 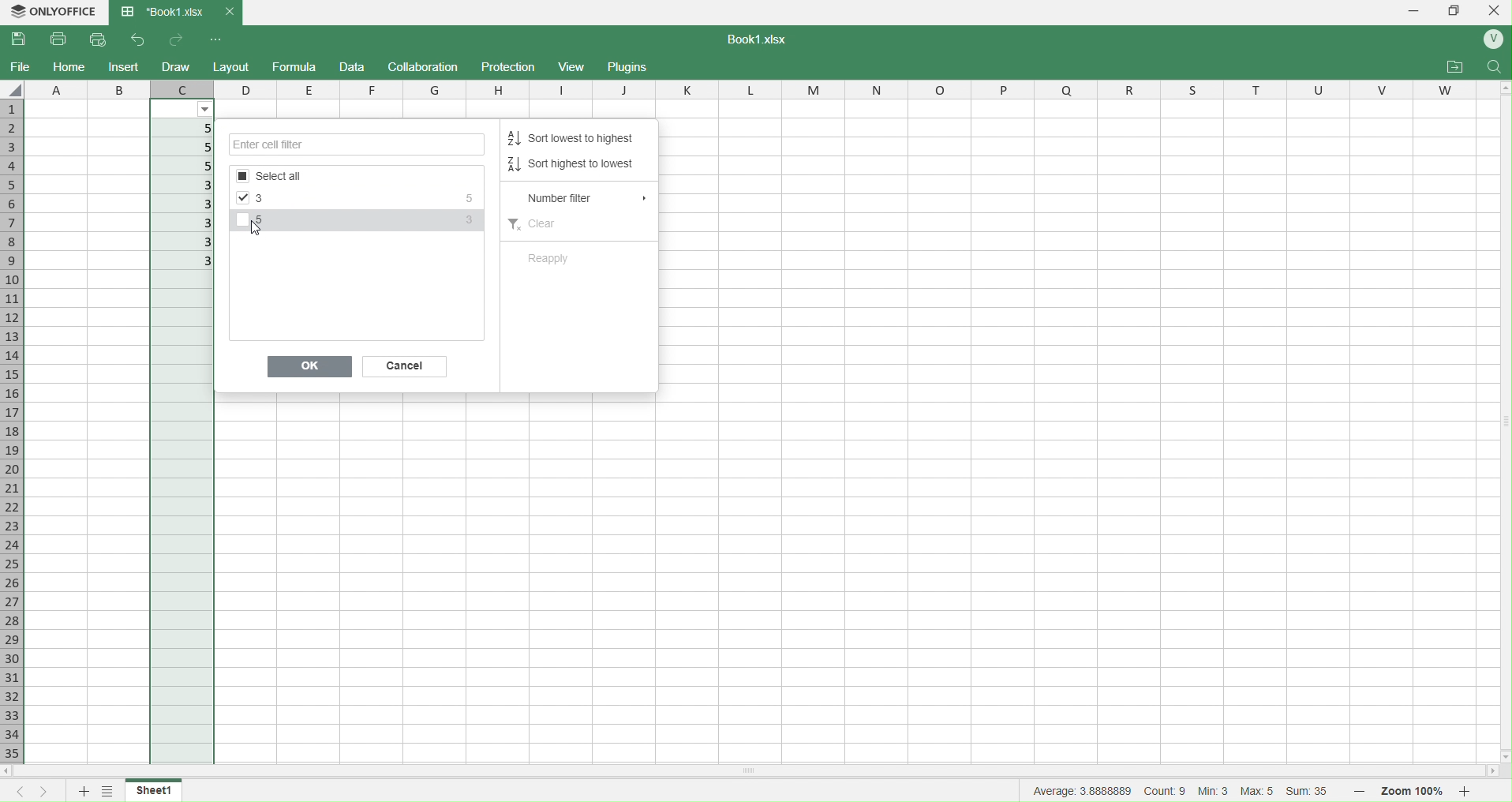 What do you see at coordinates (294, 66) in the screenshot?
I see `Formula` at bounding box center [294, 66].